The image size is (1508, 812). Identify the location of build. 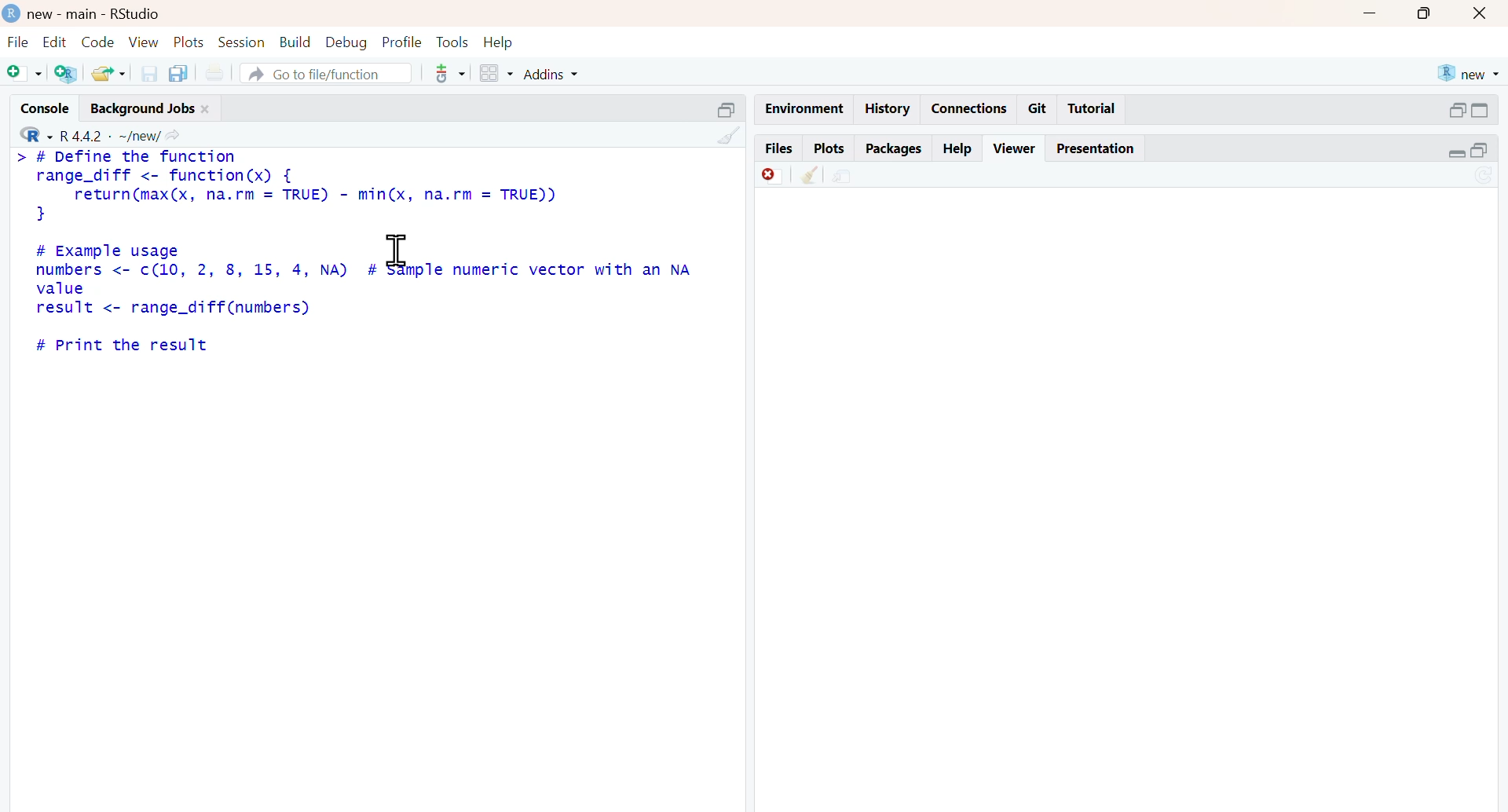
(297, 42).